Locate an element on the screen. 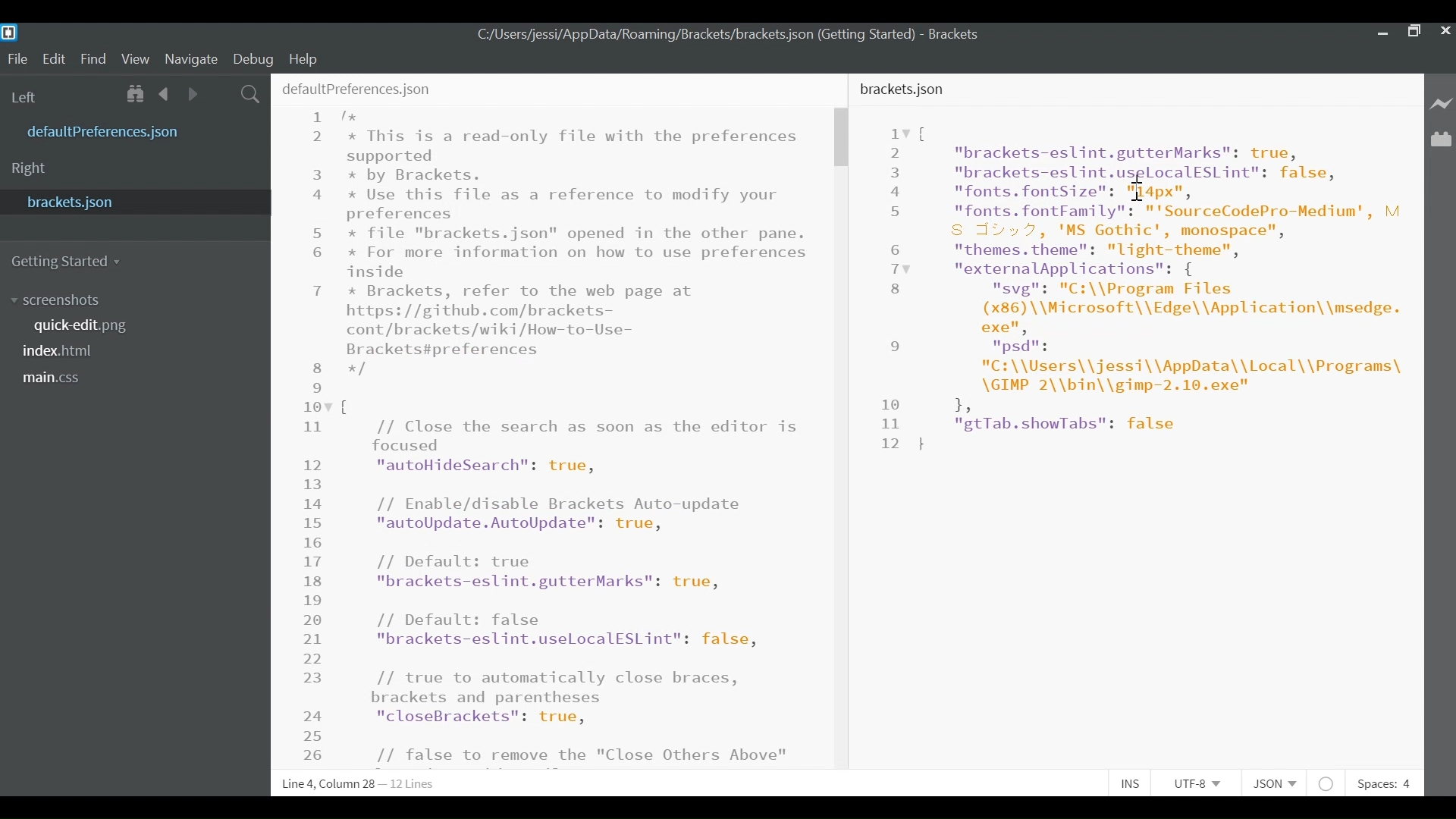  Right is located at coordinates (29, 170).